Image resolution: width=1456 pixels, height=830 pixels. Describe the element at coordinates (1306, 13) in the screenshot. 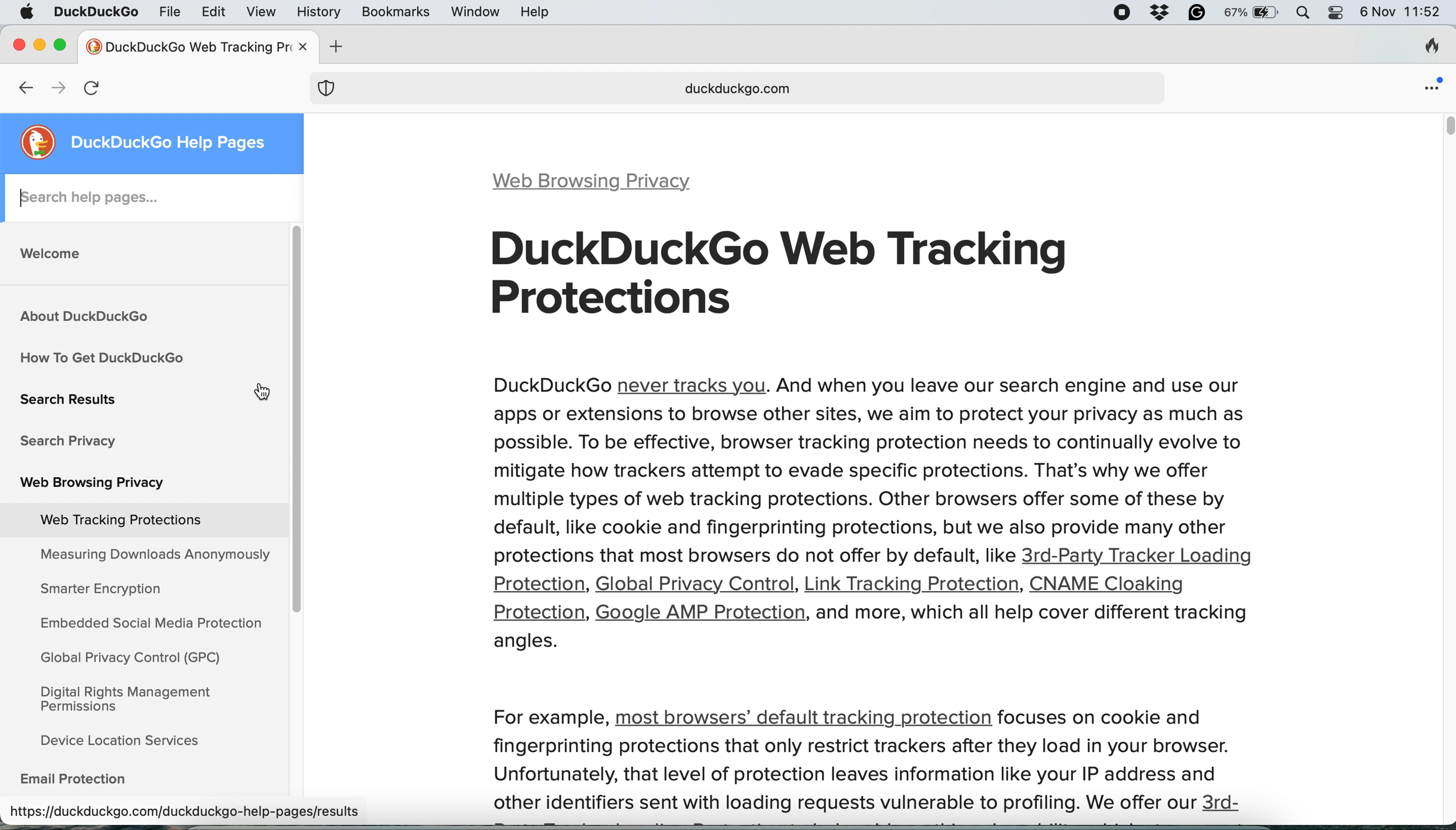

I see `spotlight search` at that location.